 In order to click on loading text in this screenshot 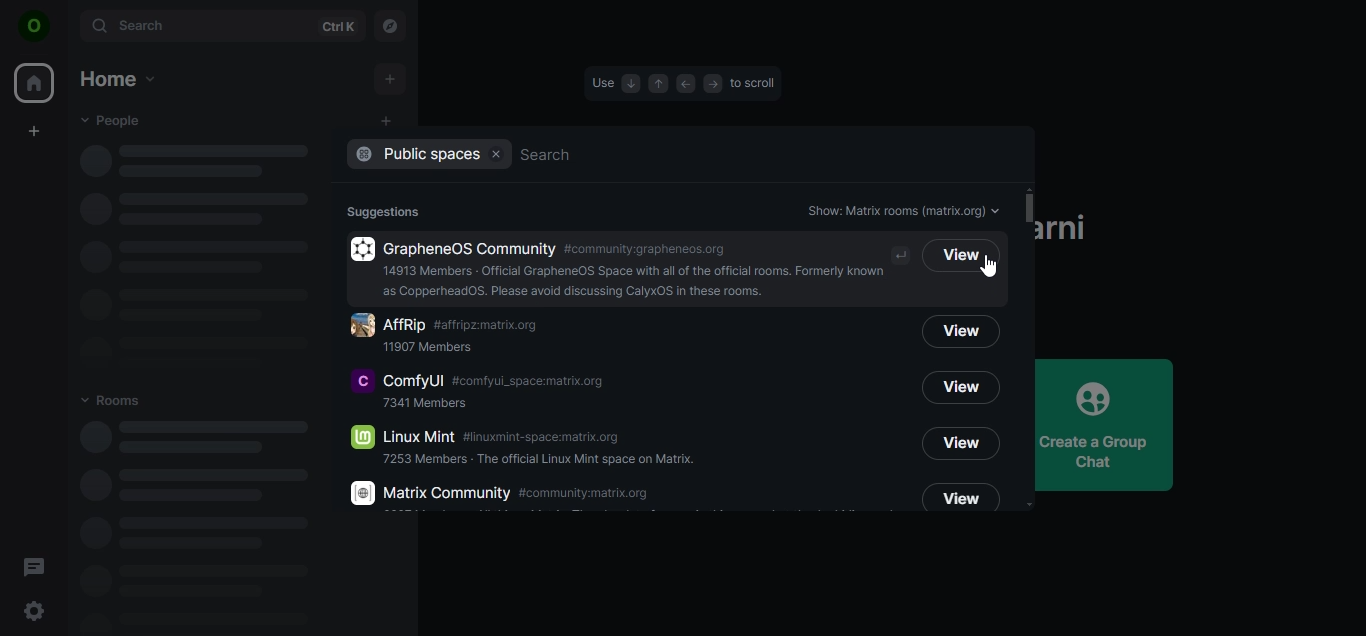, I will do `click(167, 240)`.